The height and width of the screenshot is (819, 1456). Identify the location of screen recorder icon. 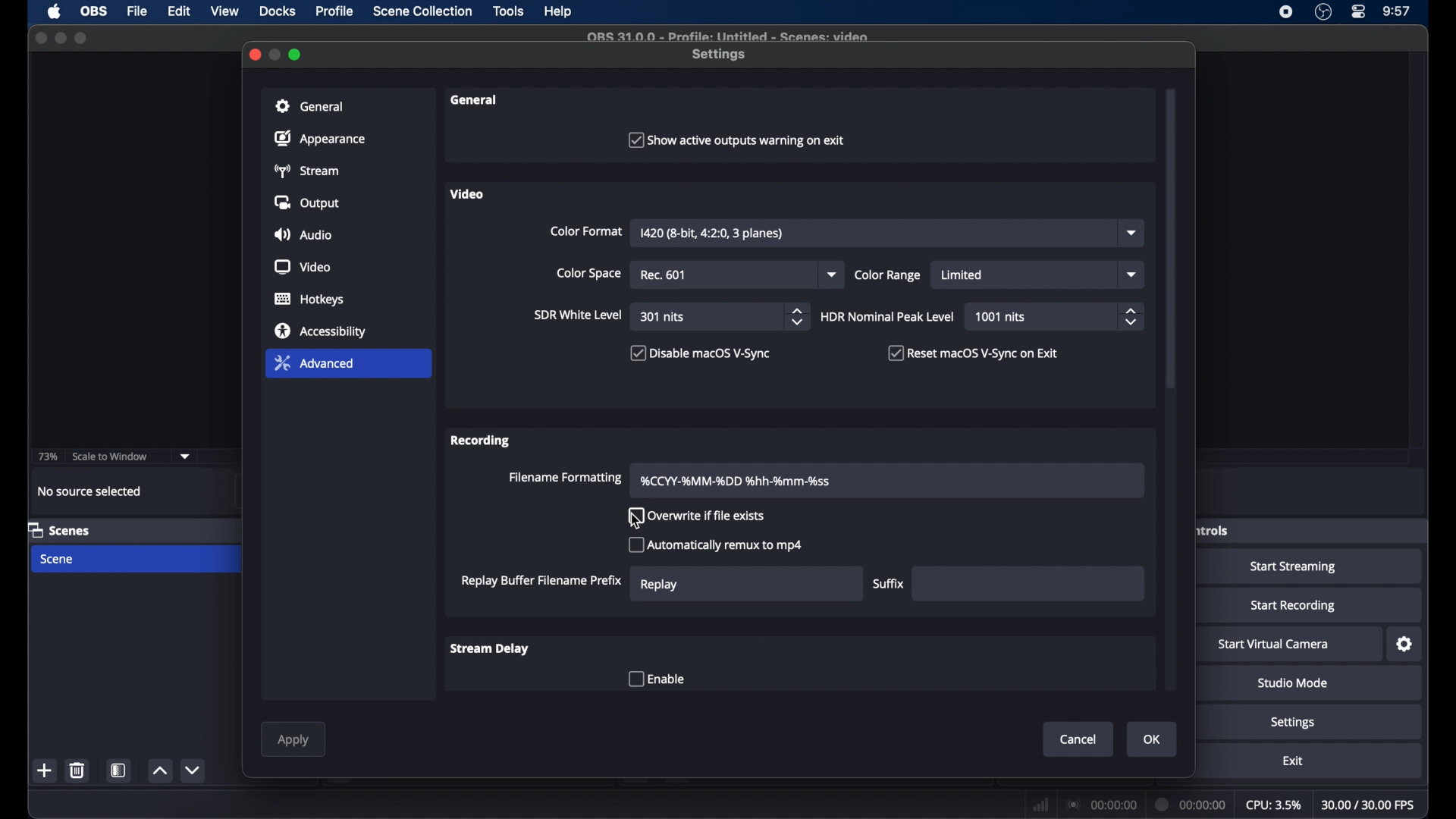
(1287, 12).